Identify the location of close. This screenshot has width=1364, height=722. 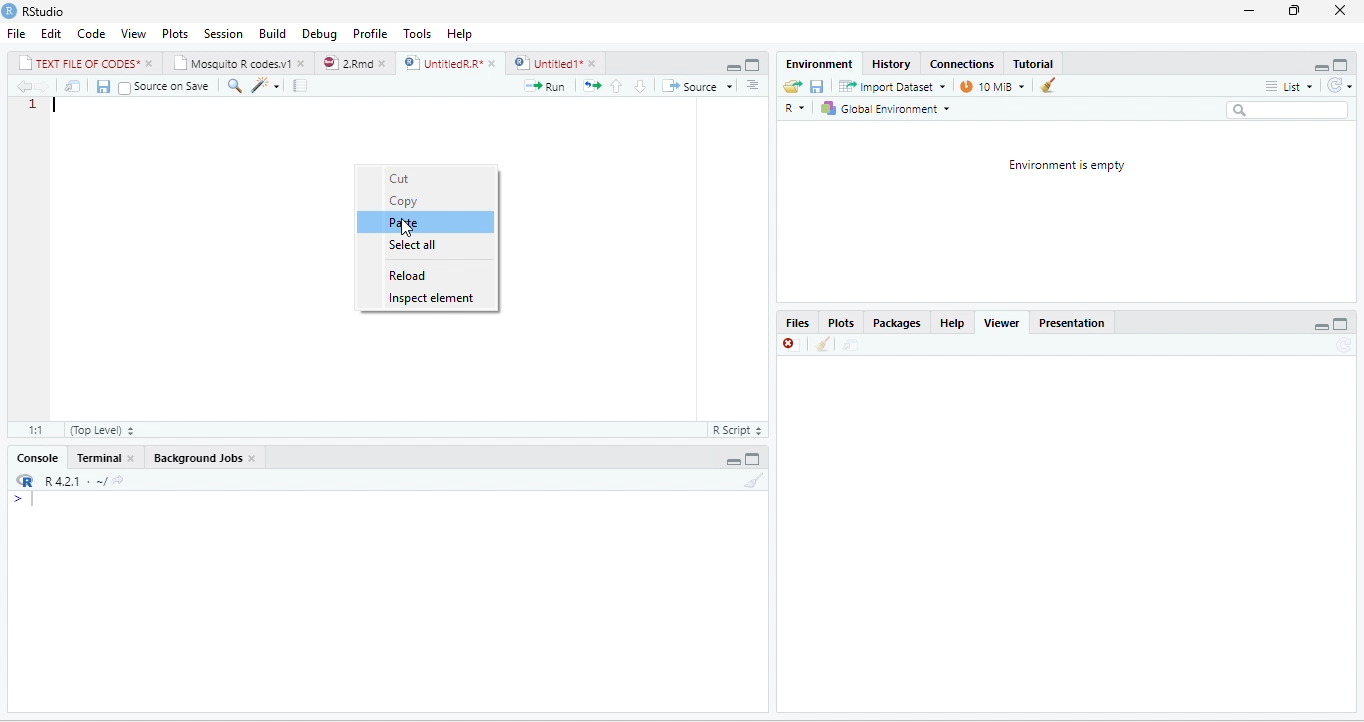
(150, 62).